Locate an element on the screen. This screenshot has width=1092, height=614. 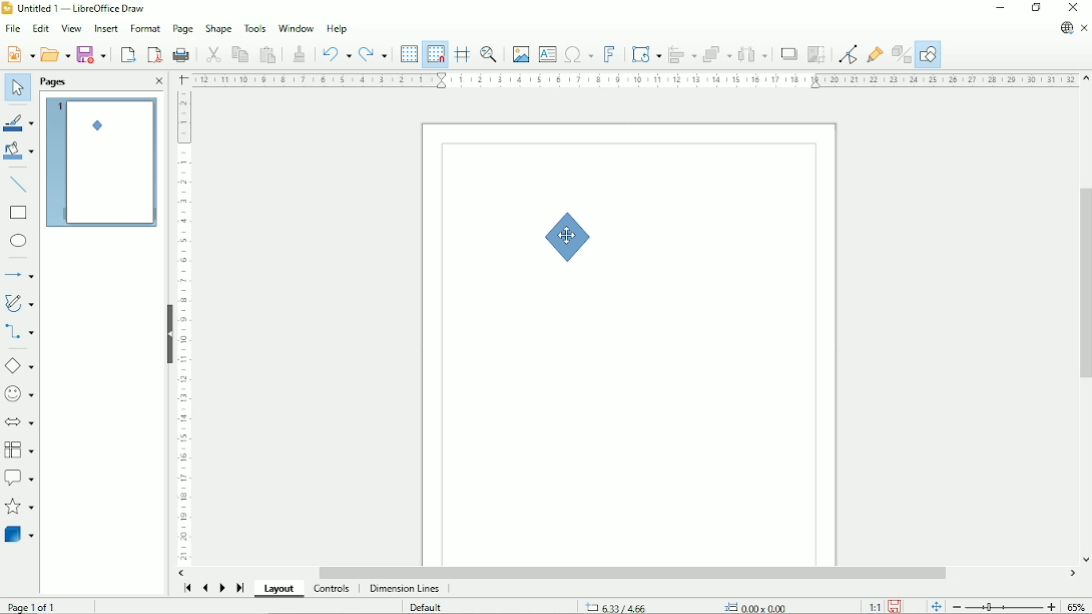
Cut is located at coordinates (213, 53).